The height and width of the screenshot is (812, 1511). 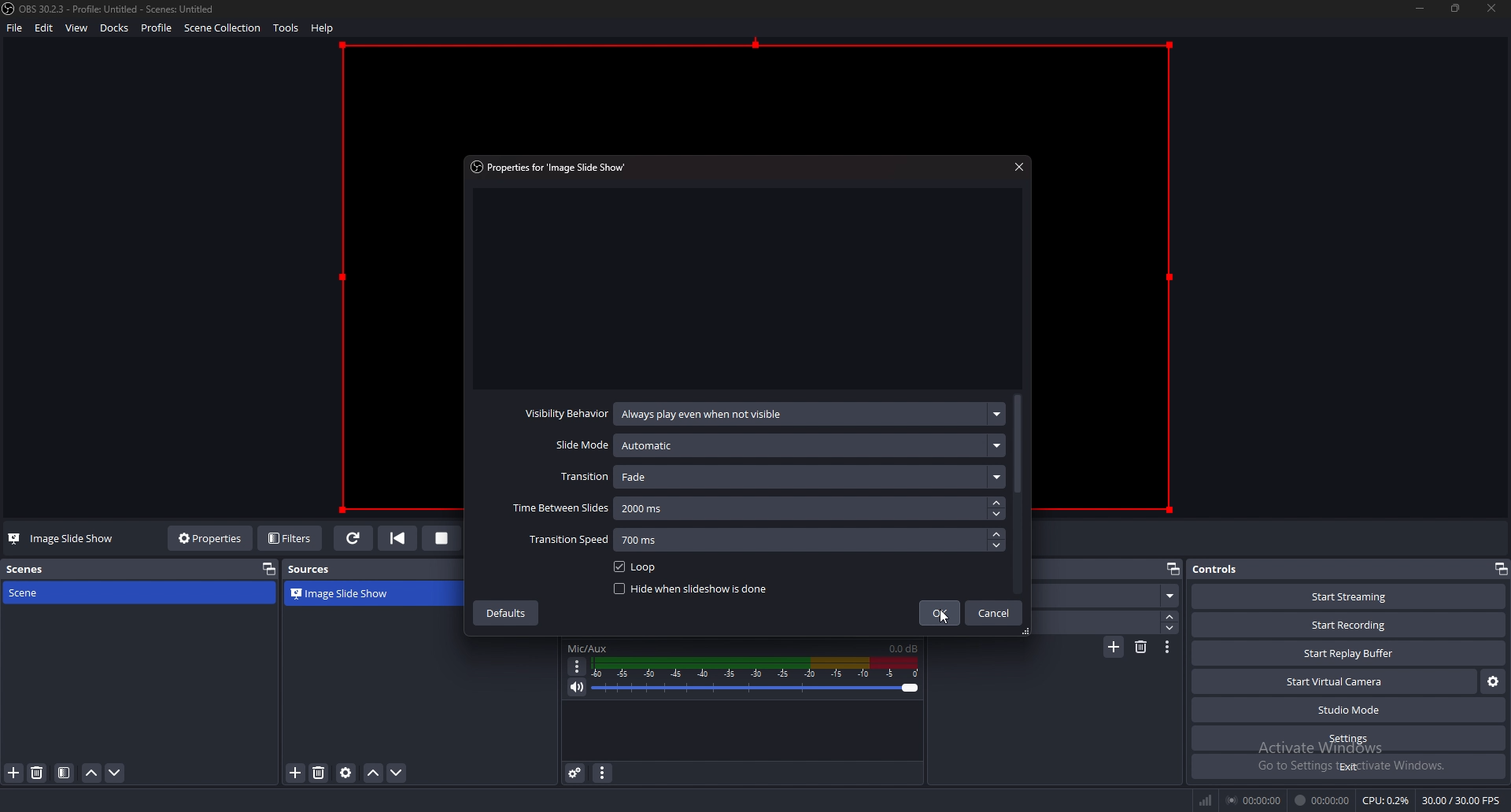 I want to click on stop, so click(x=441, y=540).